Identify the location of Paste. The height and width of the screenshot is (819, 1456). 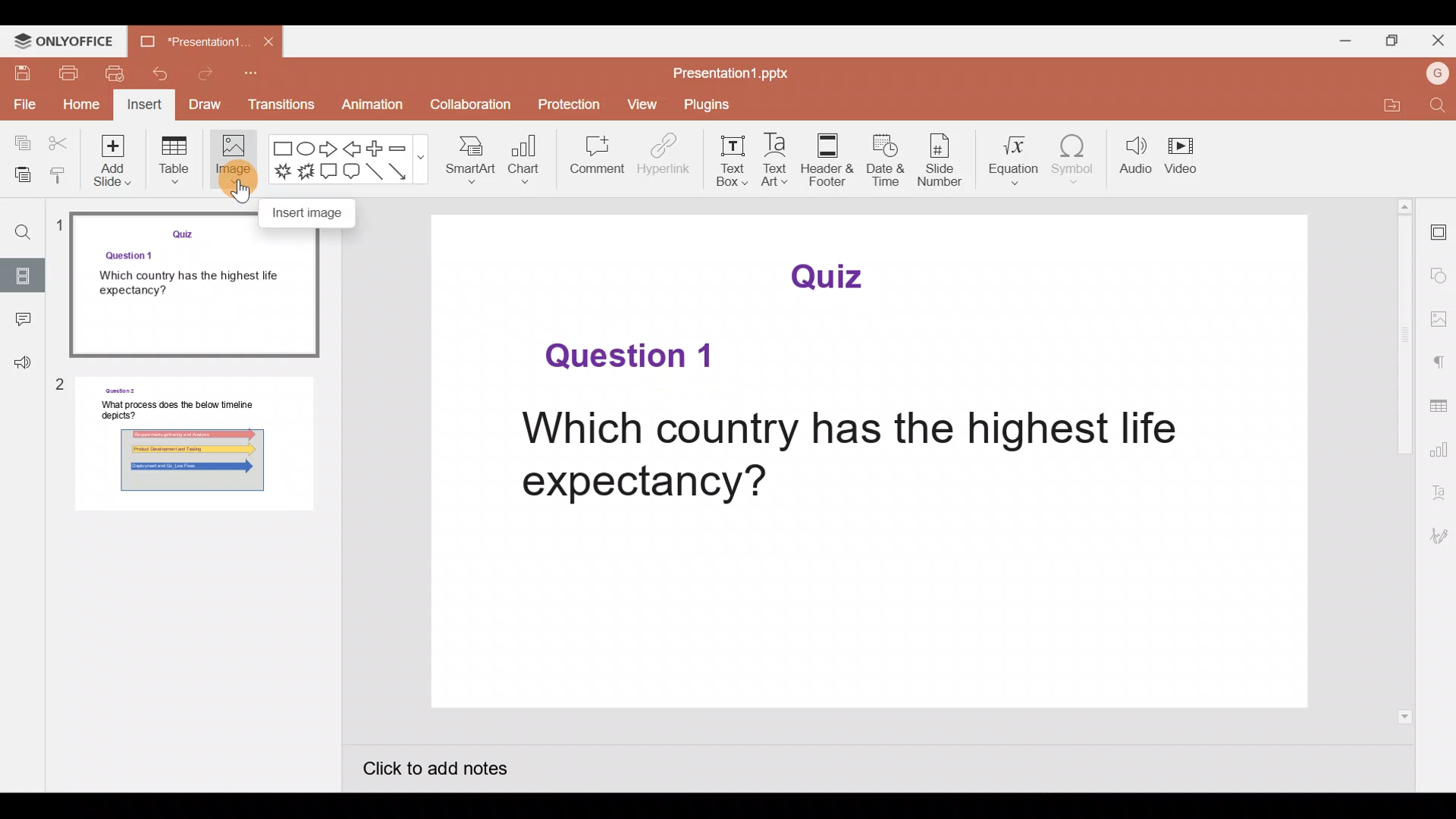
(19, 171).